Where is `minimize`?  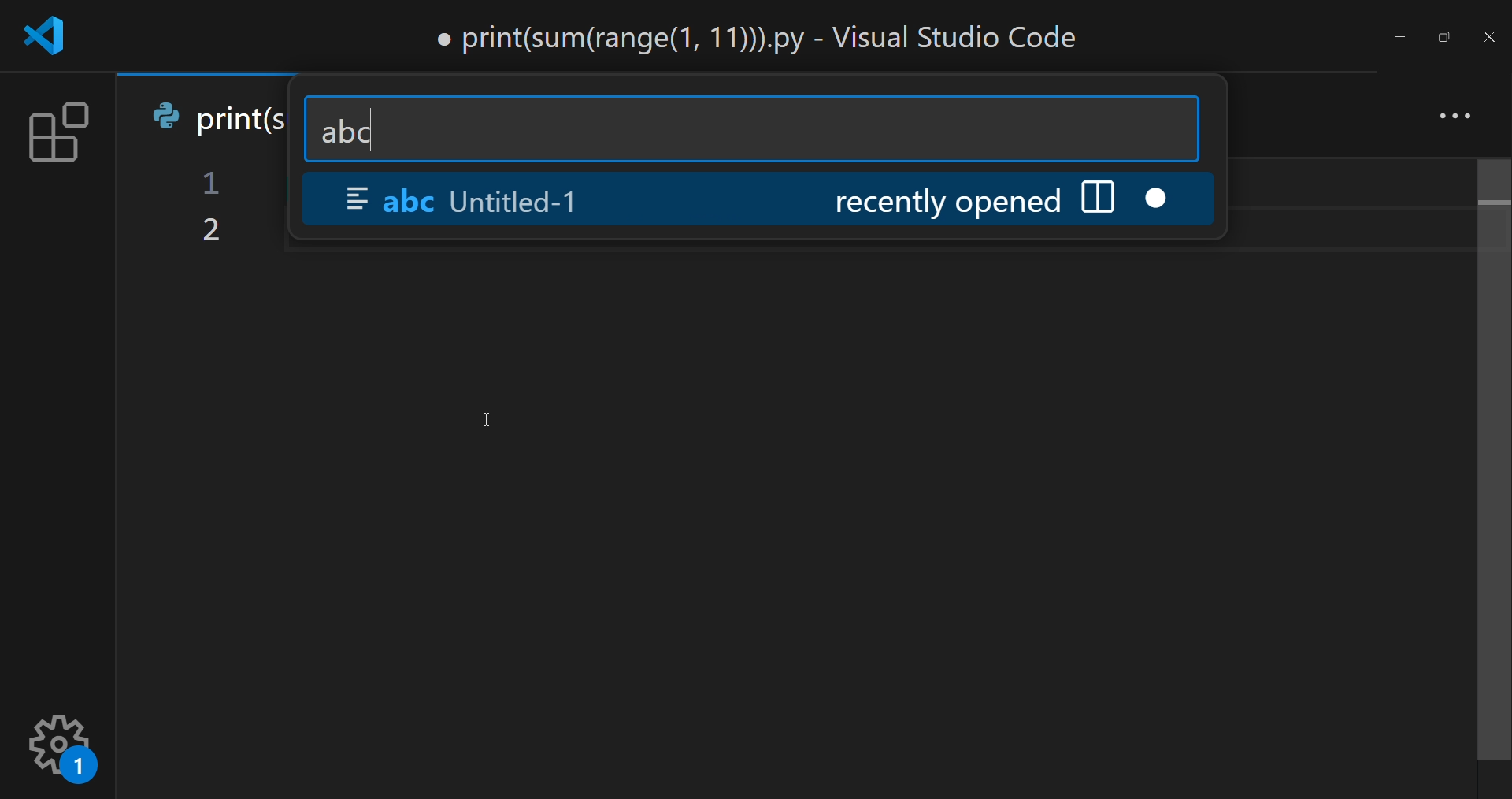
minimize is located at coordinates (1399, 38).